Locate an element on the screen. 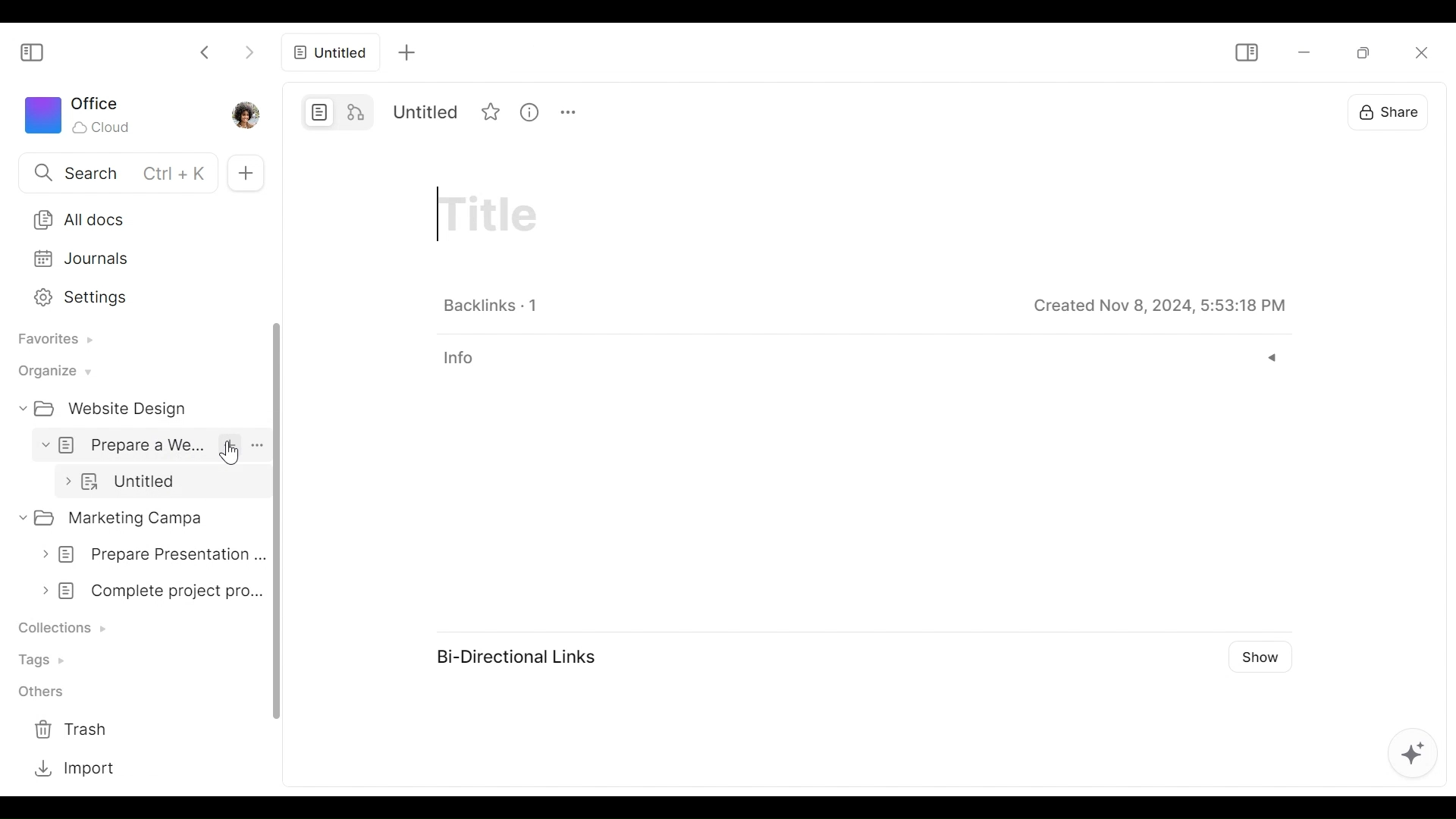 Image resolution: width=1456 pixels, height=819 pixels. Favorites is located at coordinates (51, 342).